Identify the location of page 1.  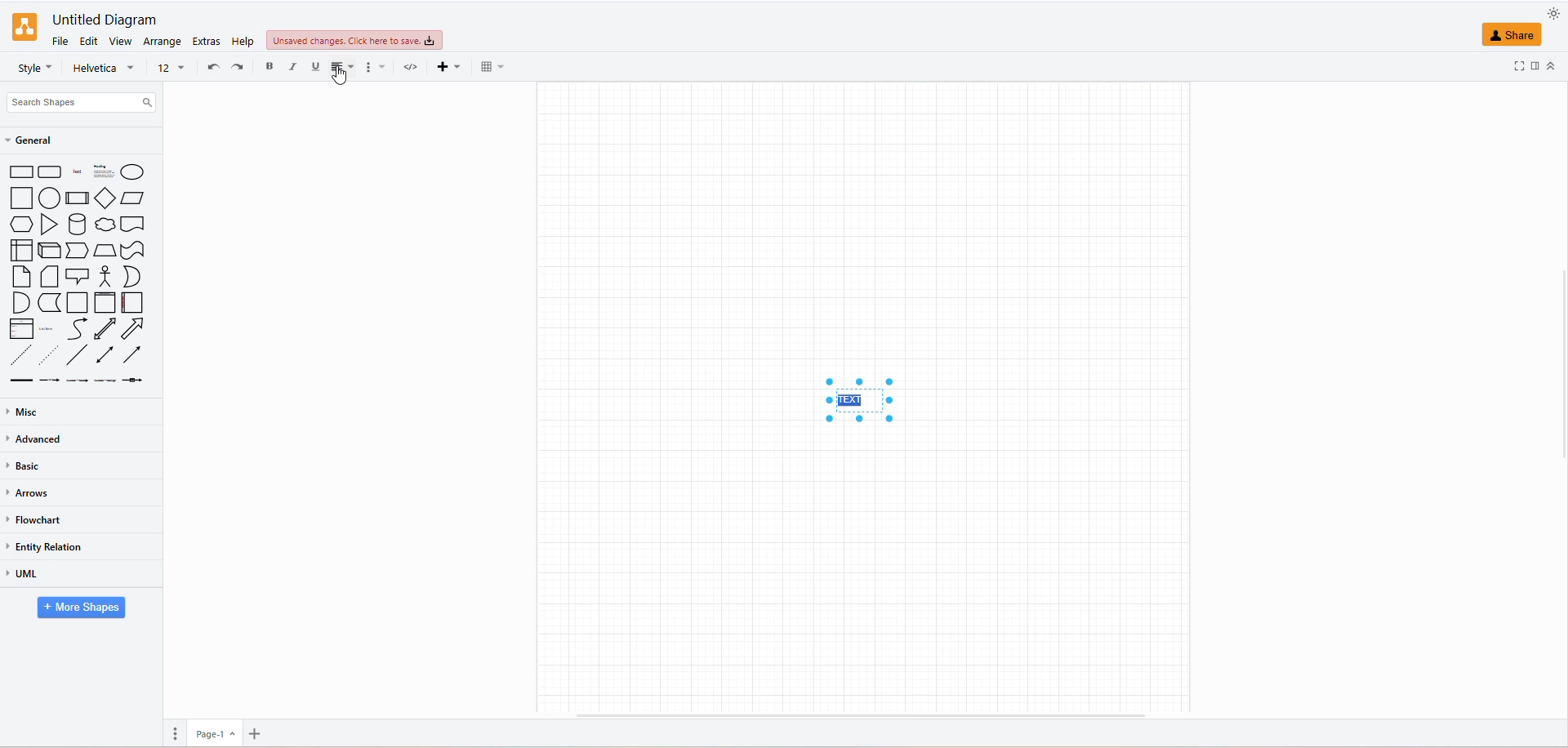
(213, 733).